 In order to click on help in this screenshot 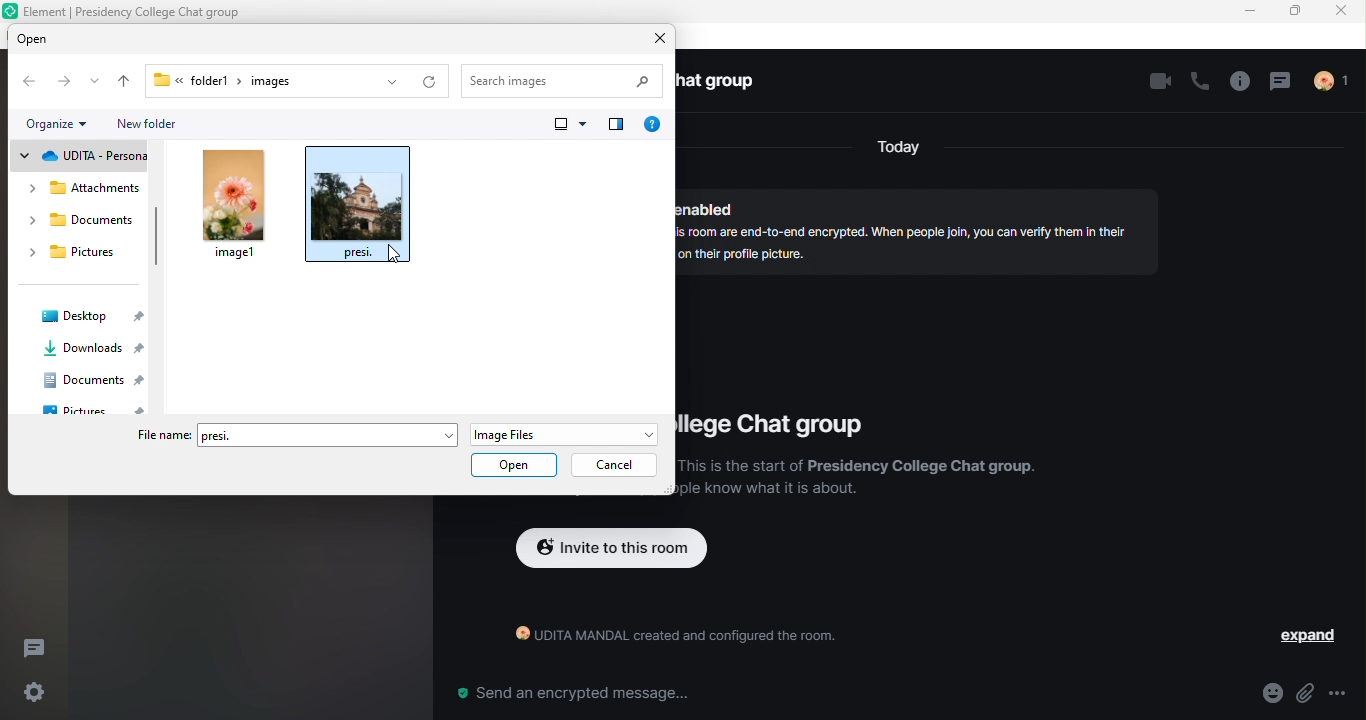, I will do `click(656, 125)`.